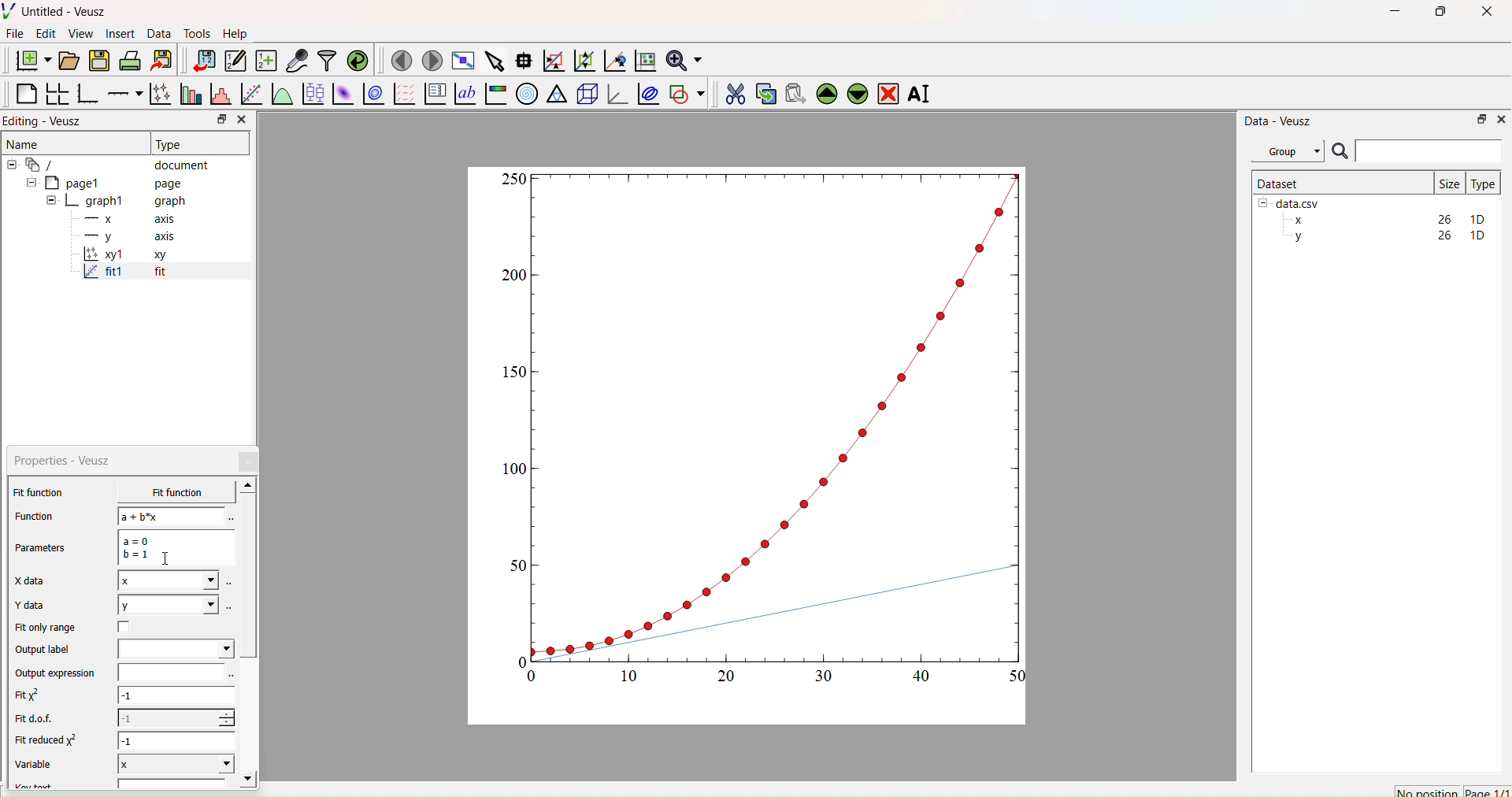 The image size is (1512, 797). Describe the element at coordinates (158, 34) in the screenshot. I see `Data` at that location.